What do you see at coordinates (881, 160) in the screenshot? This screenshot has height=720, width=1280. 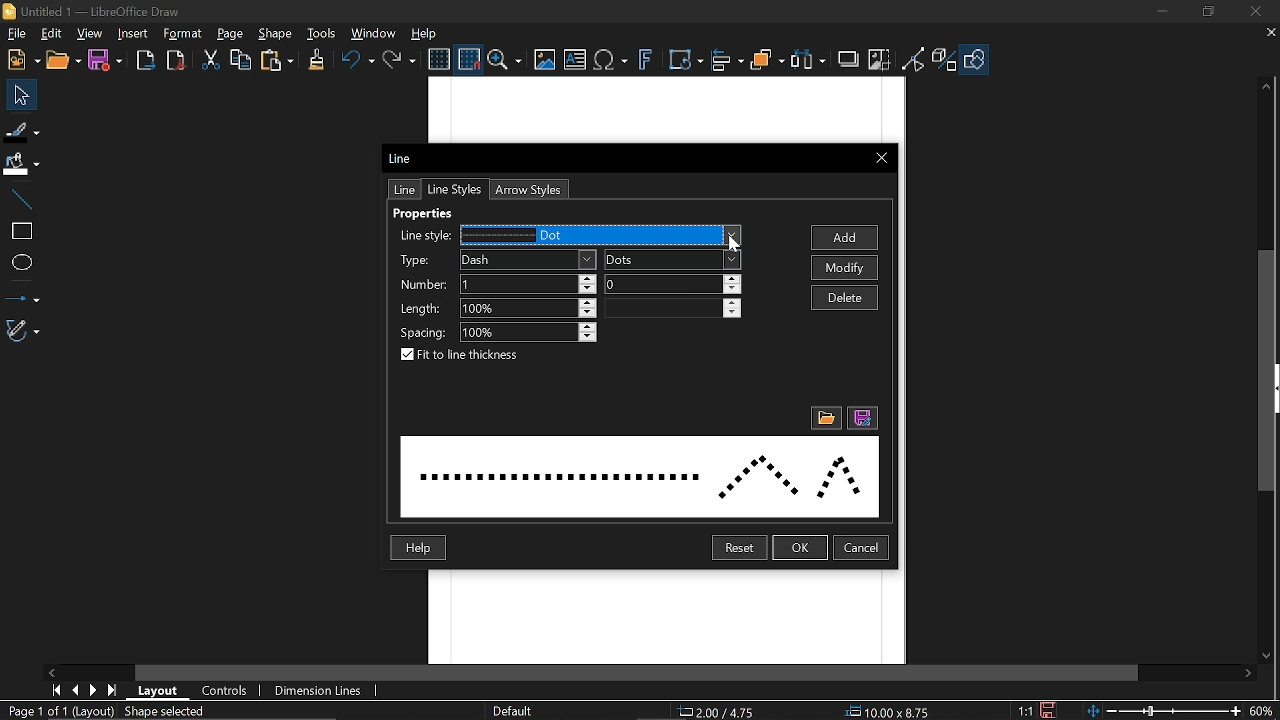 I see `Close` at bounding box center [881, 160].